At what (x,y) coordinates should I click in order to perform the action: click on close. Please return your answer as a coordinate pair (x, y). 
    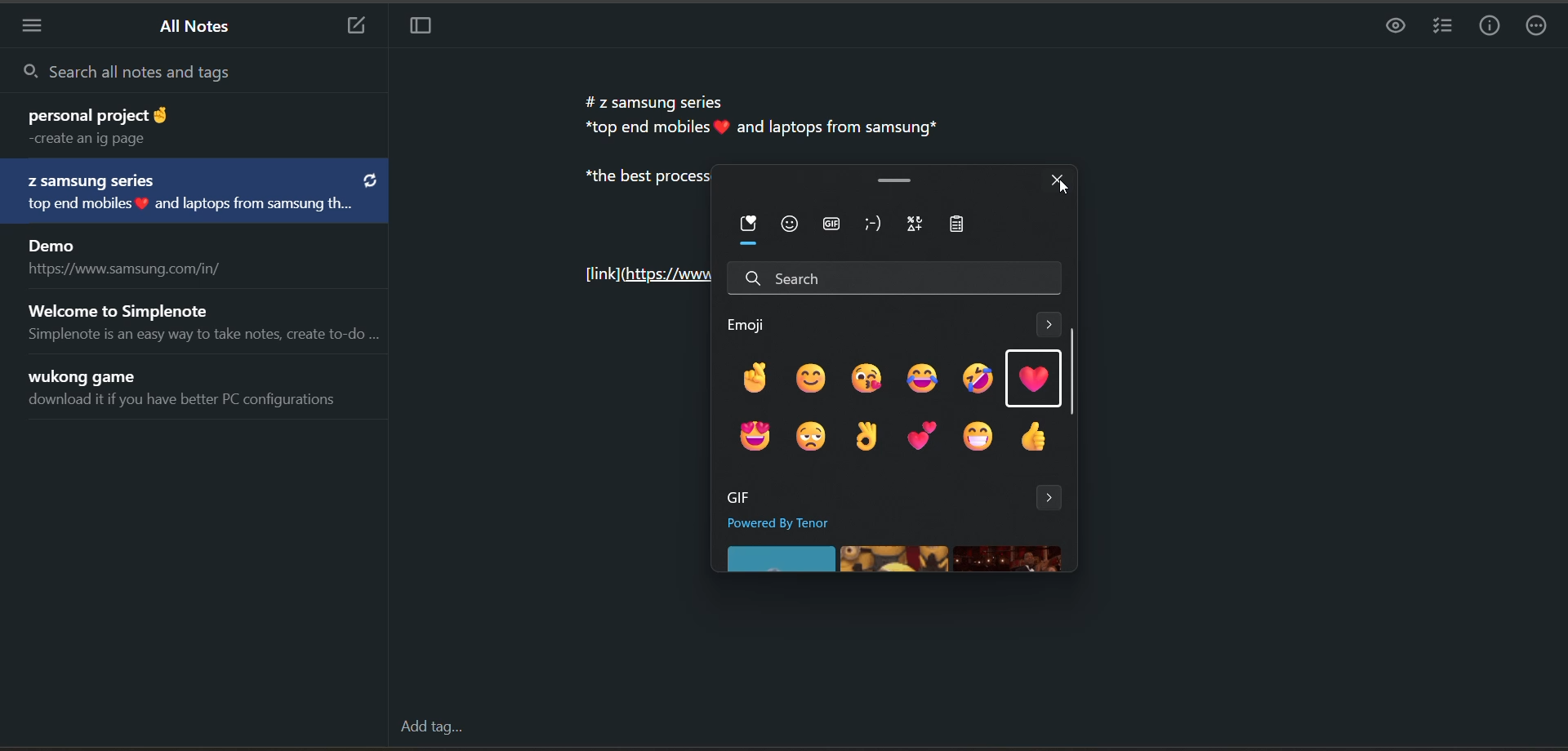
    Looking at the image, I should click on (1059, 179).